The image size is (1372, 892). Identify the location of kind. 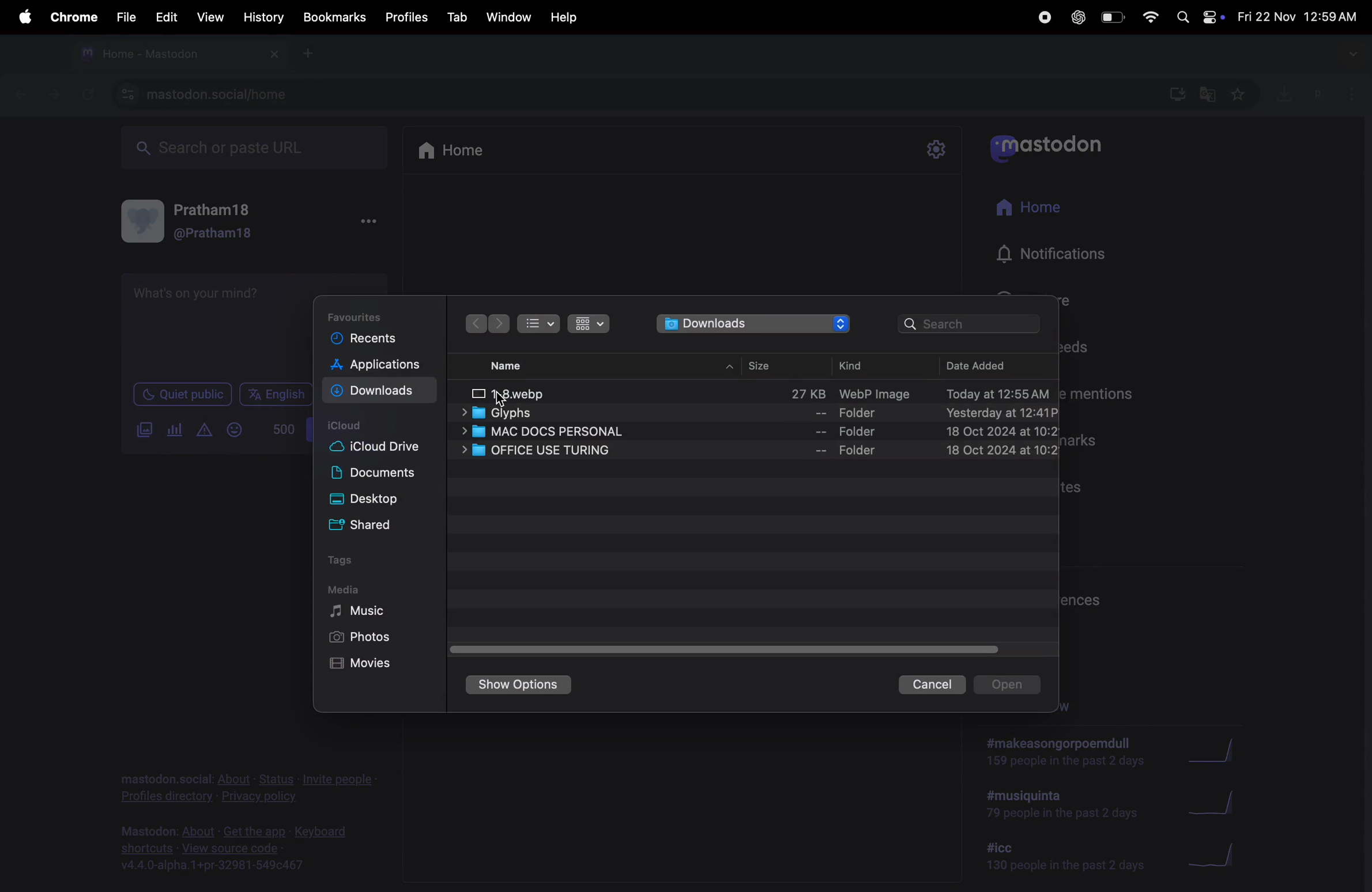
(860, 364).